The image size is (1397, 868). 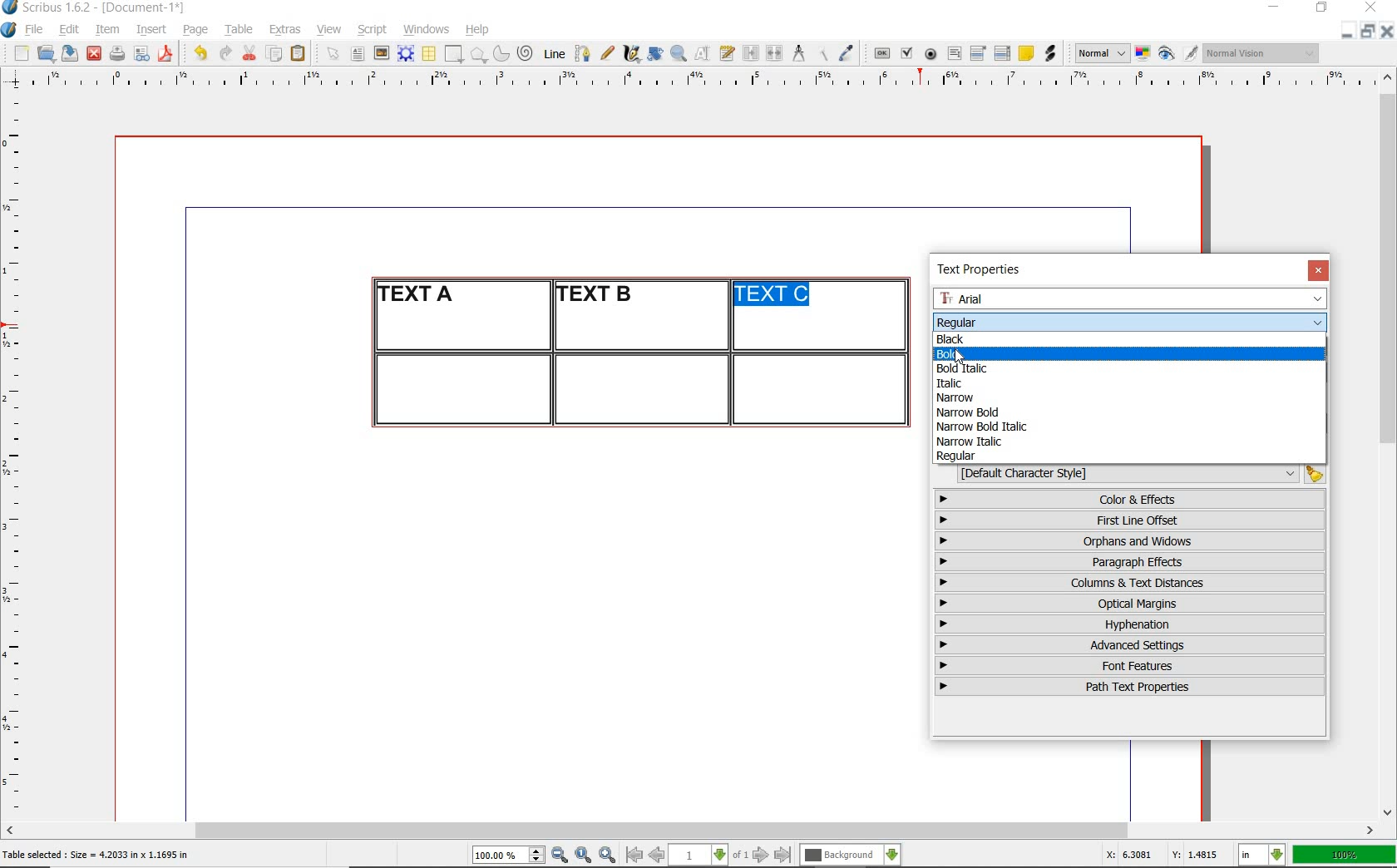 What do you see at coordinates (709, 81) in the screenshot?
I see `ruler` at bounding box center [709, 81].